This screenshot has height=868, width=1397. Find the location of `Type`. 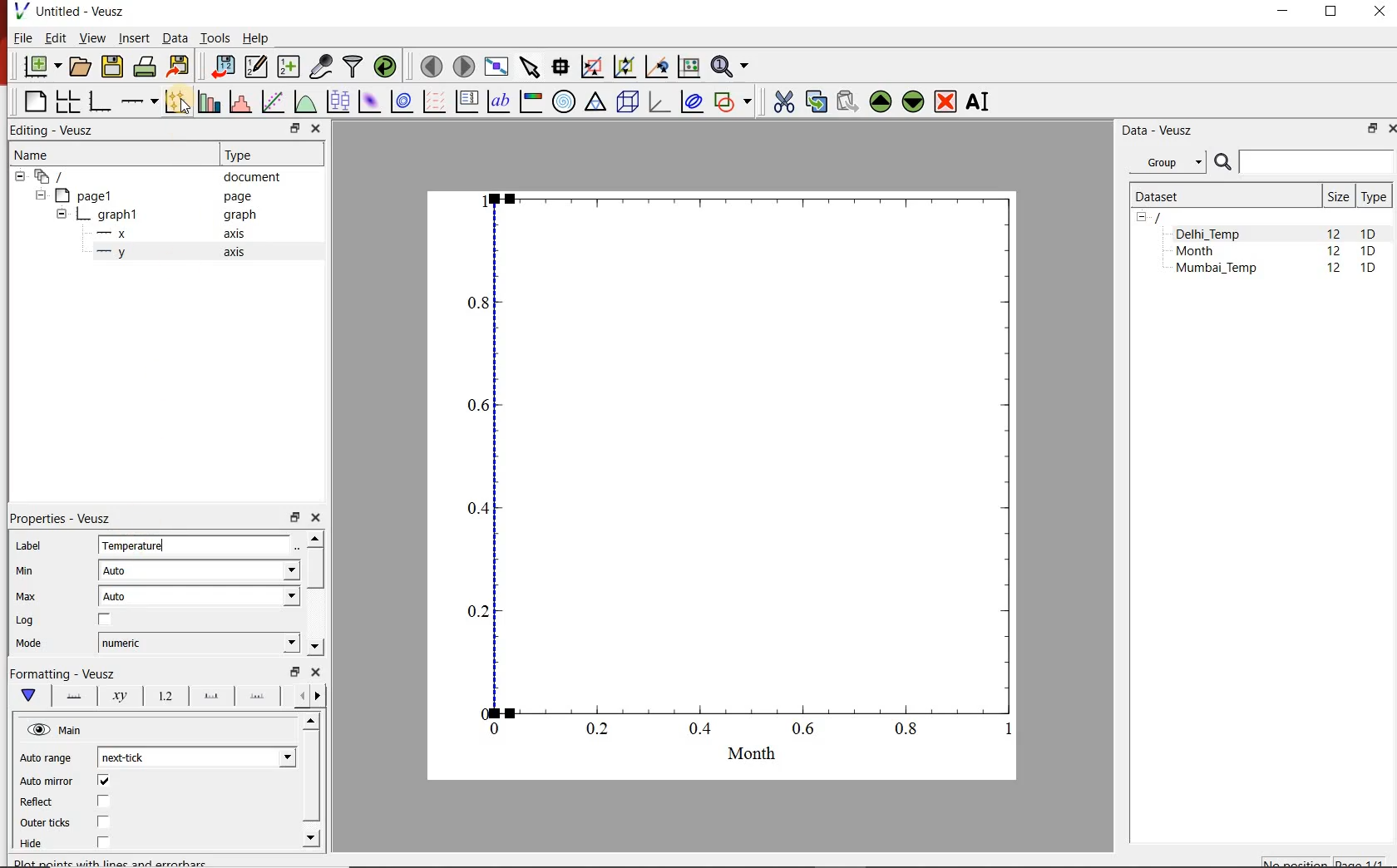

Type is located at coordinates (1374, 196).